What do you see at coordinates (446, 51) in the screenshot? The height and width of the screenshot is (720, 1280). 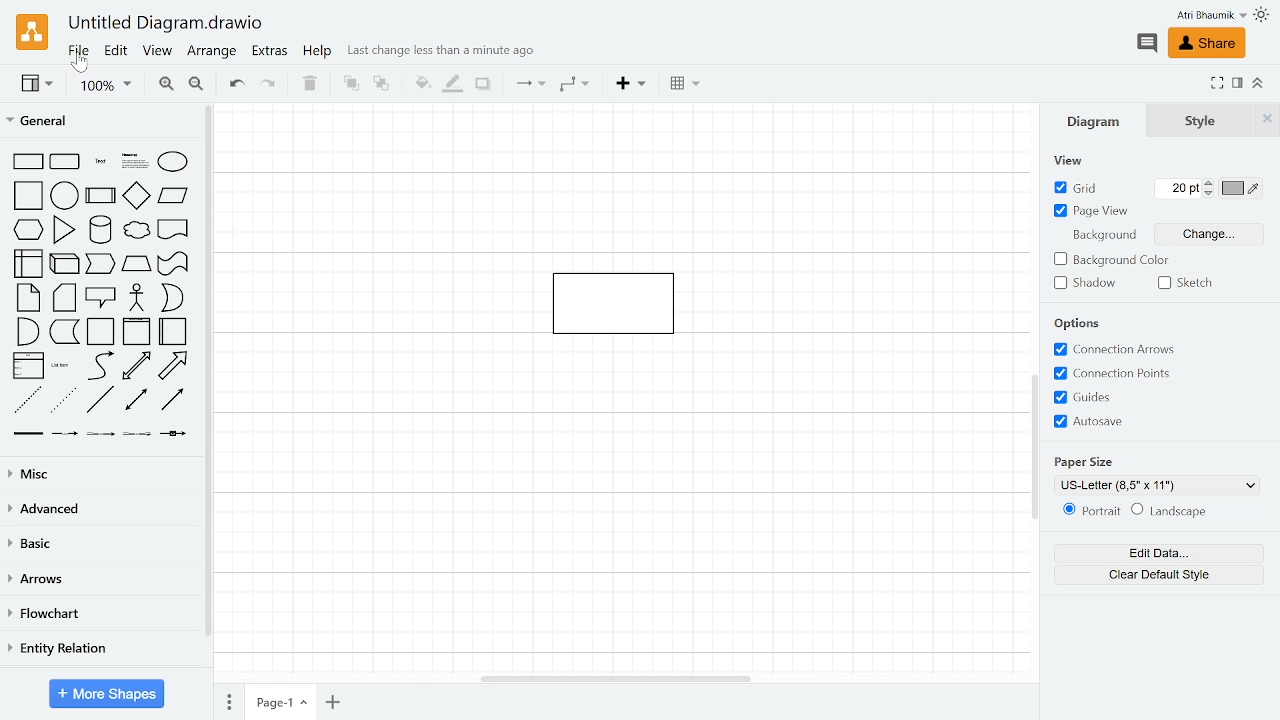 I see `last change` at bounding box center [446, 51].